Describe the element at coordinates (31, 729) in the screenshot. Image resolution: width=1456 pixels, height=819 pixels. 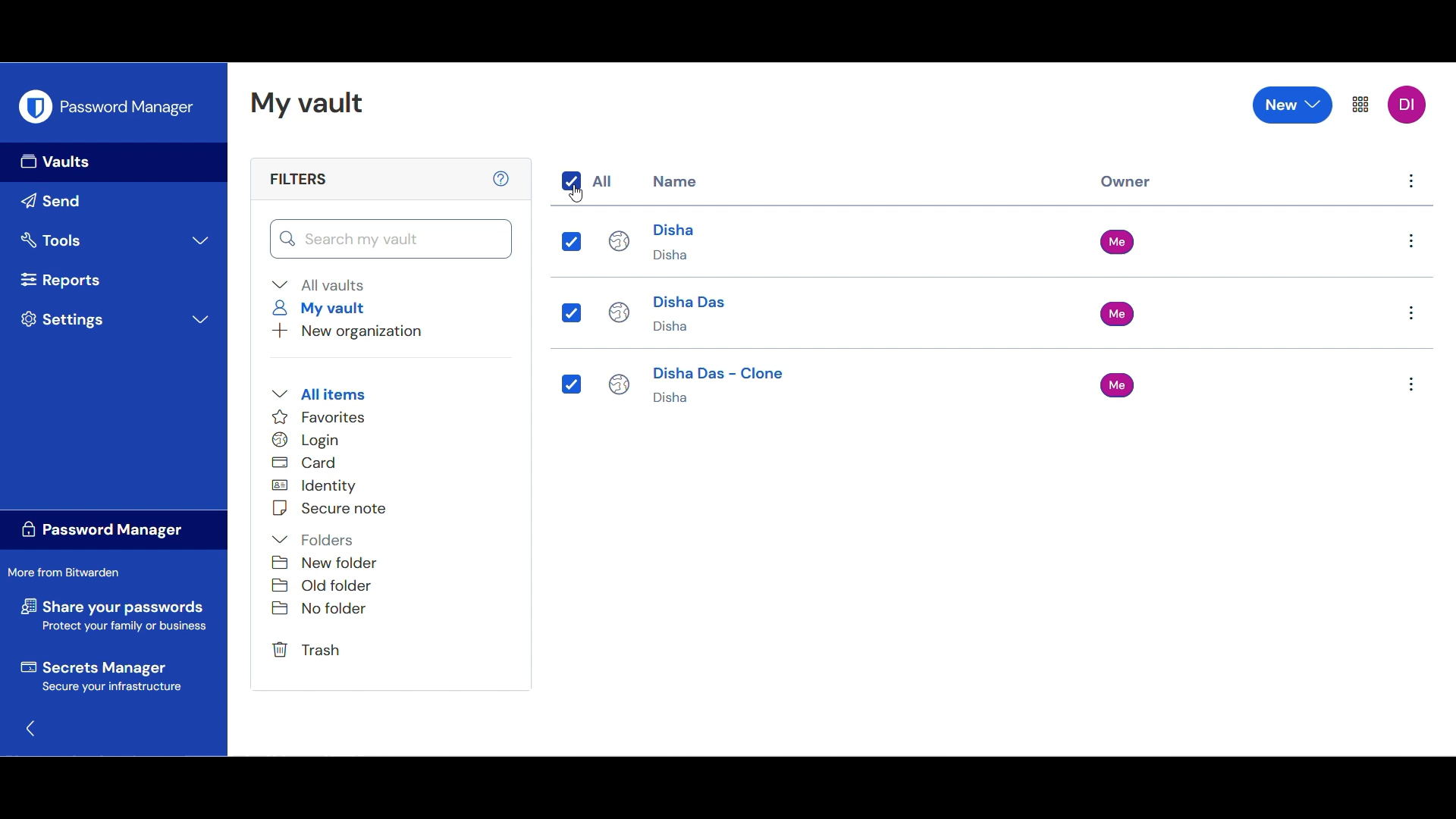
I see `Go back` at that location.